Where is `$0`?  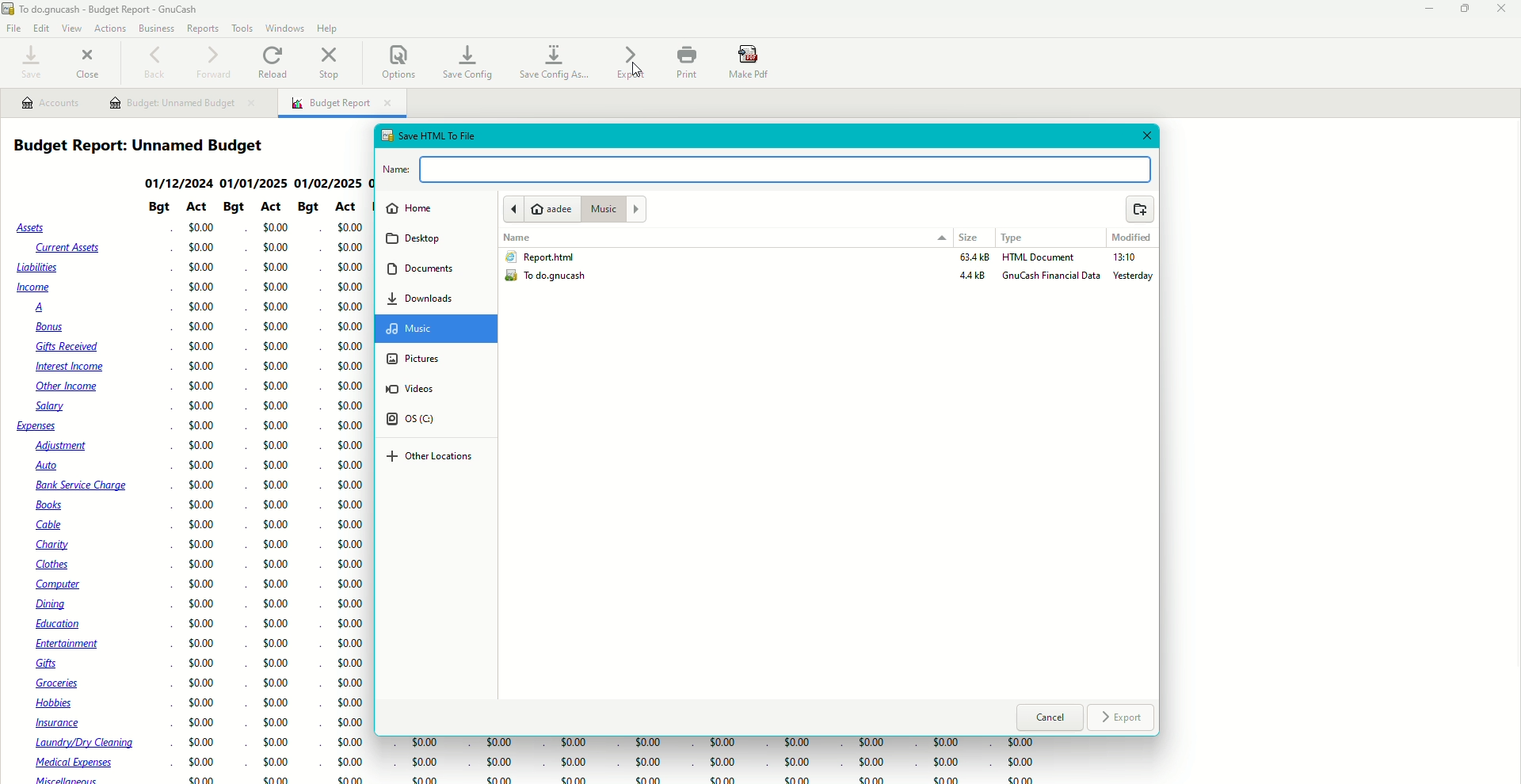 $0 is located at coordinates (711, 761).